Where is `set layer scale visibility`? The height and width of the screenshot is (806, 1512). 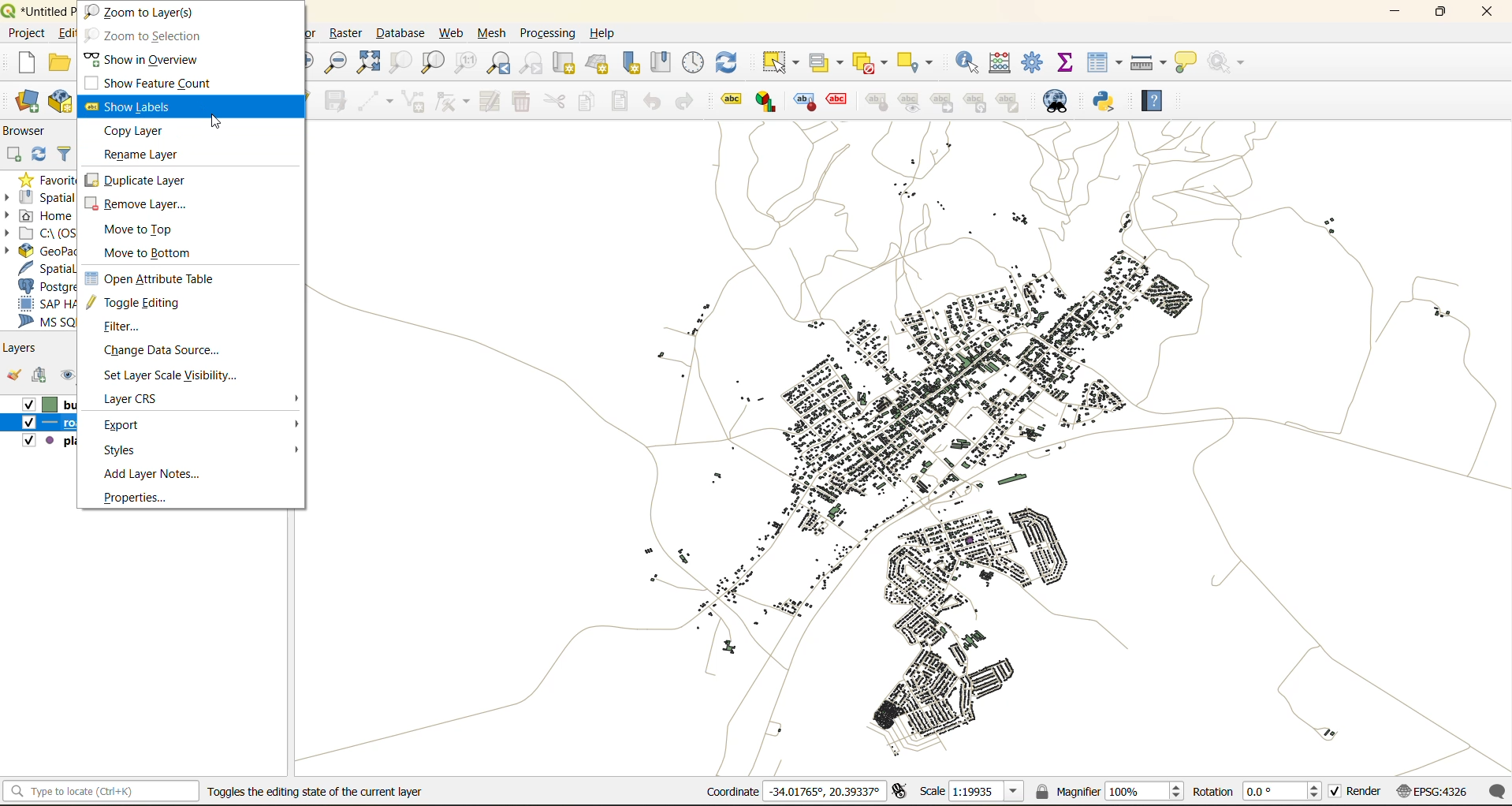
set layer scale visibility is located at coordinates (172, 375).